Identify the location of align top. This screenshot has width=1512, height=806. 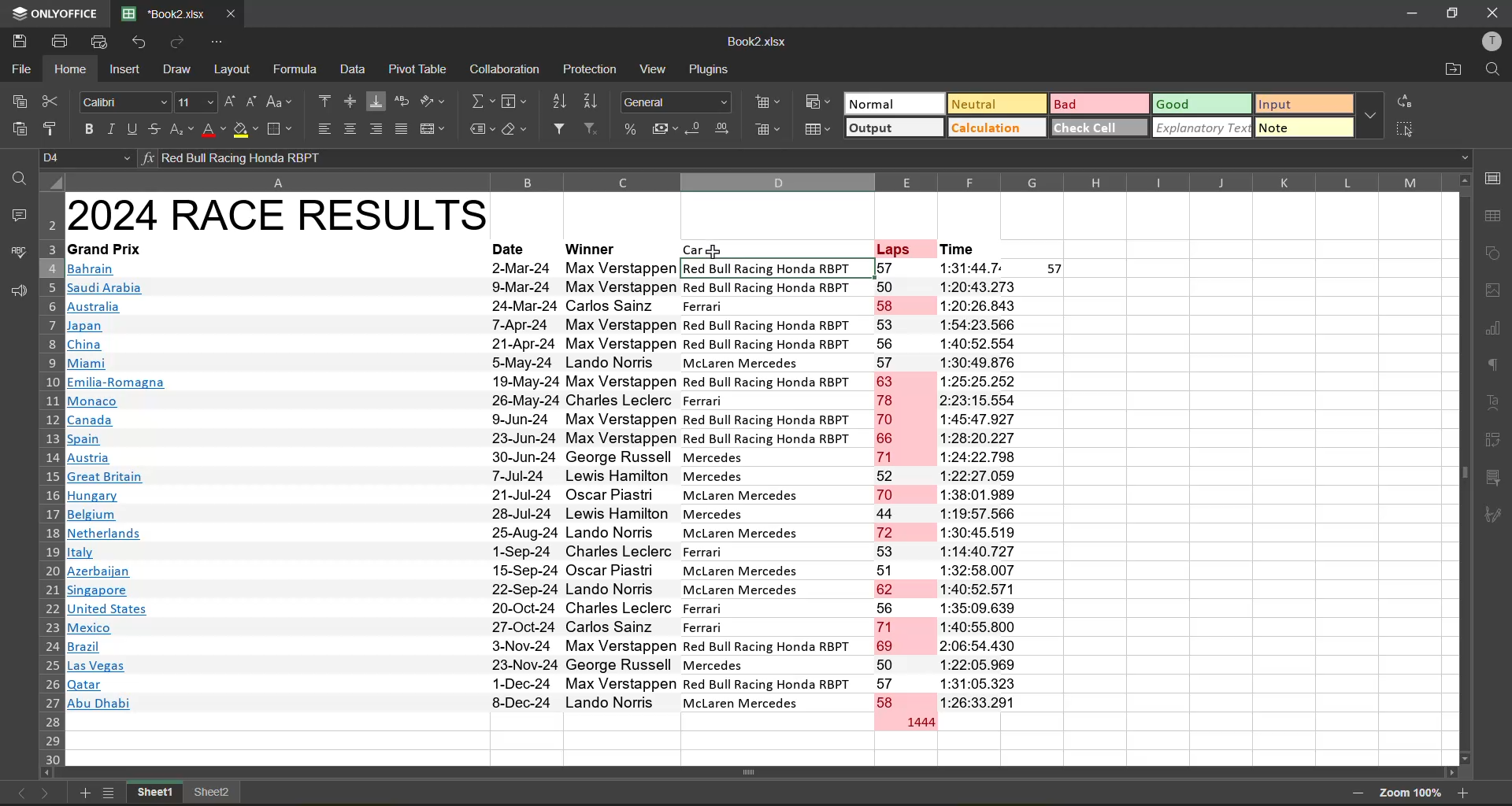
(322, 101).